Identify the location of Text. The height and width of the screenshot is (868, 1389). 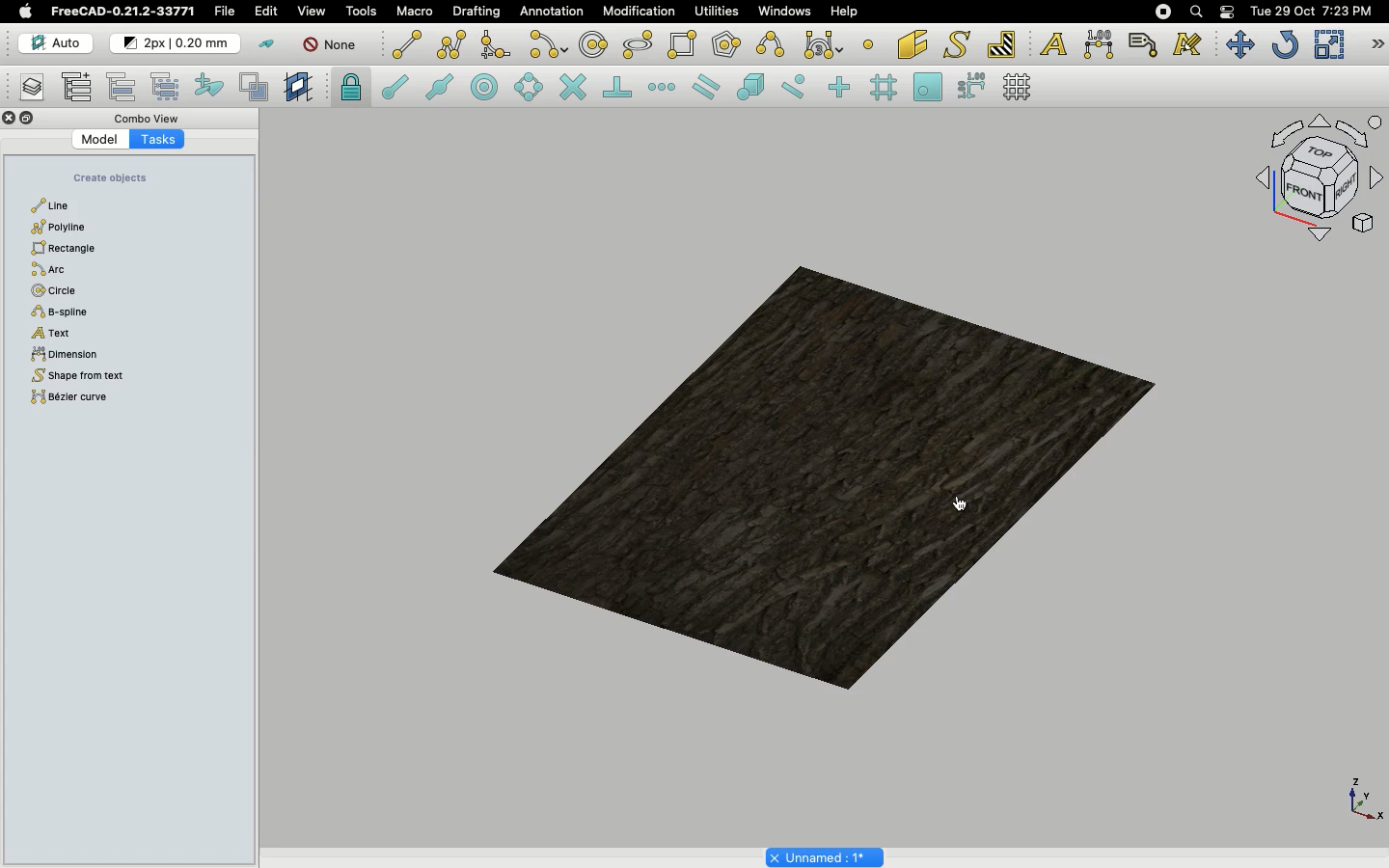
(50, 333).